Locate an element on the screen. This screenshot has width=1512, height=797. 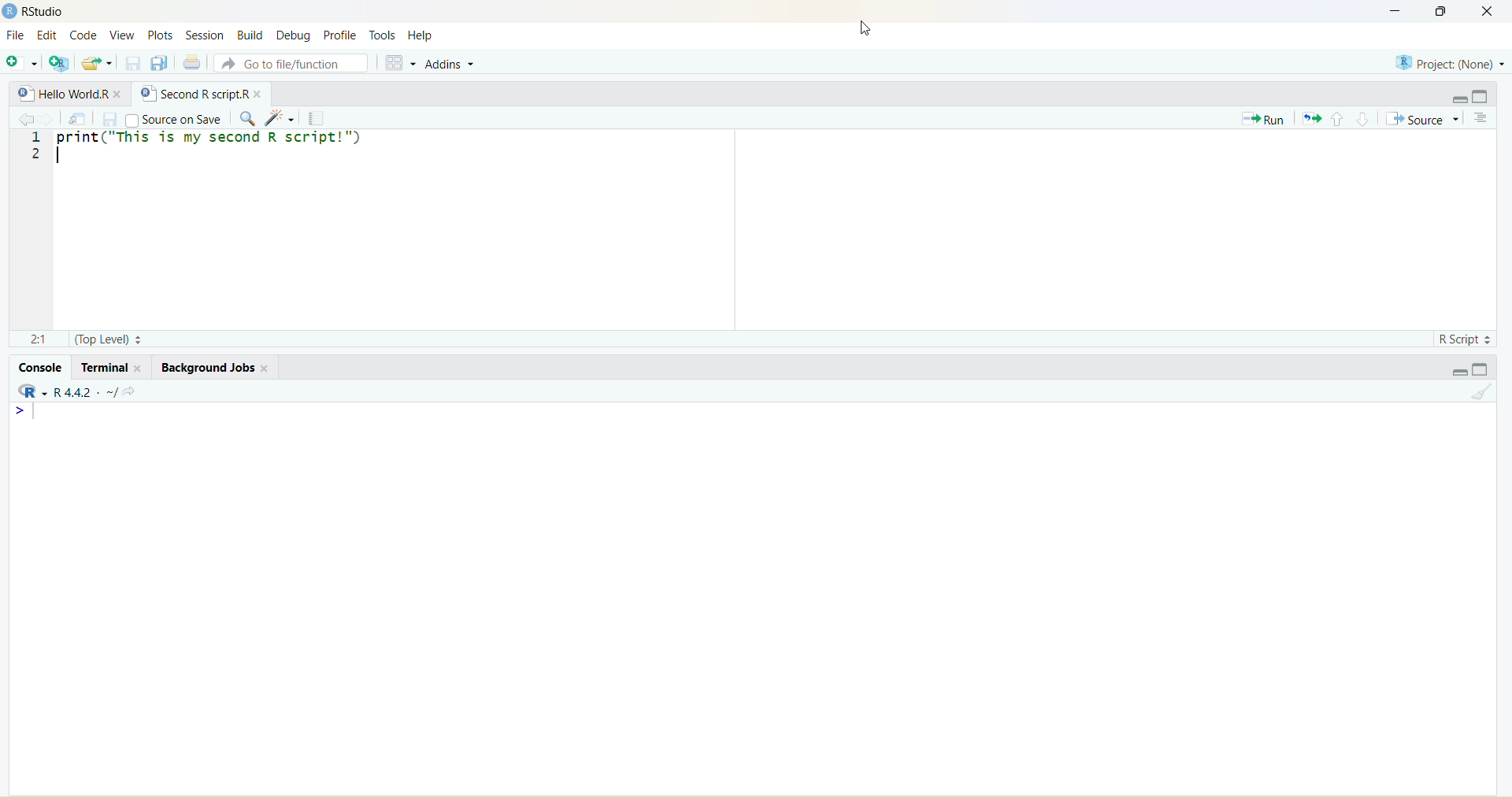
R 4.4.2 ~. is located at coordinates (84, 391).